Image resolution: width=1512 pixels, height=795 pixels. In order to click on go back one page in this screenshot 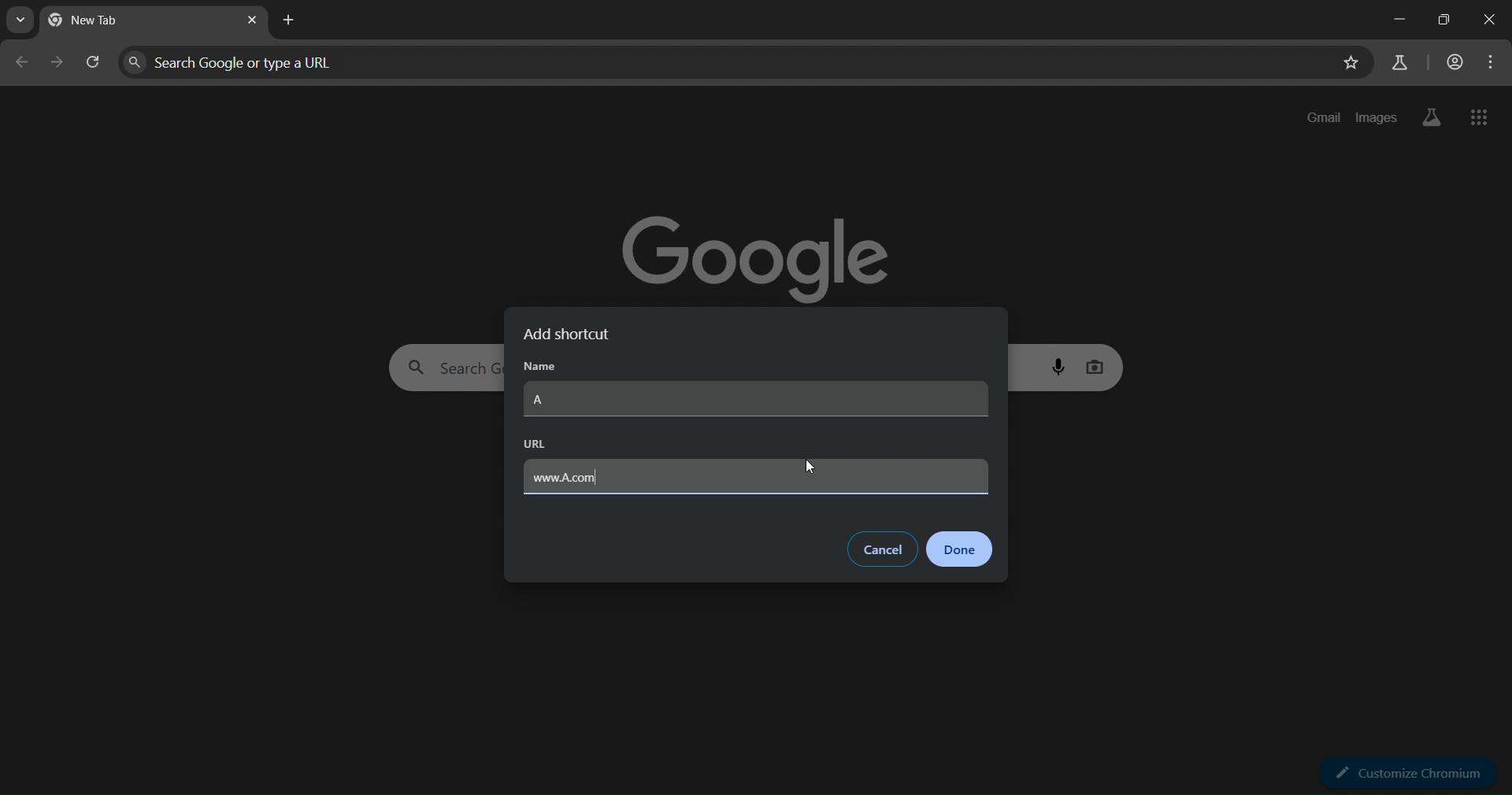, I will do `click(21, 66)`.